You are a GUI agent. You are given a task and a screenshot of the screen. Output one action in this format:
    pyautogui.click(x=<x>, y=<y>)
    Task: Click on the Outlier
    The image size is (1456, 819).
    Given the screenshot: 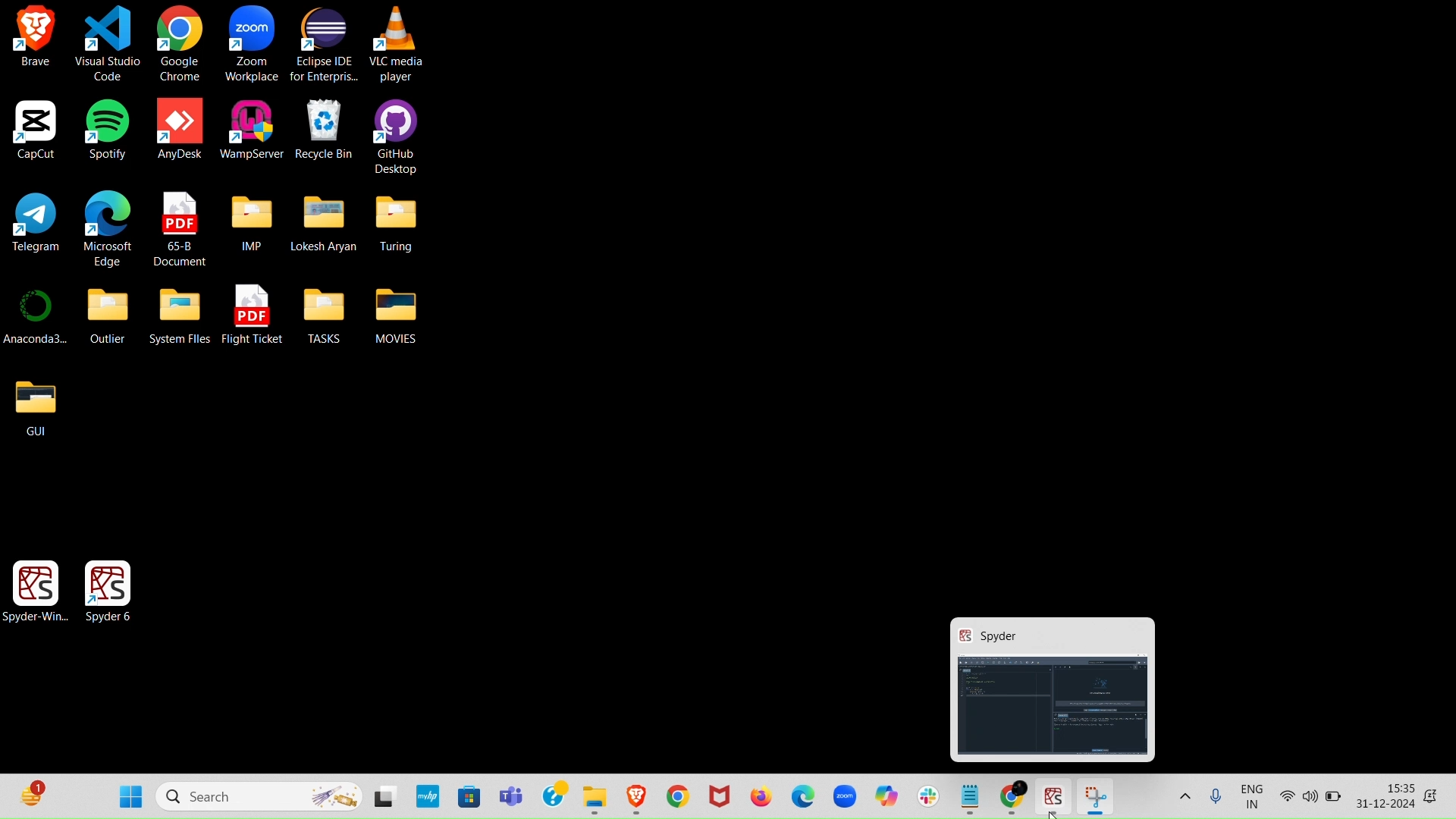 What is the action you would take?
    pyautogui.click(x=107, y=315)
    